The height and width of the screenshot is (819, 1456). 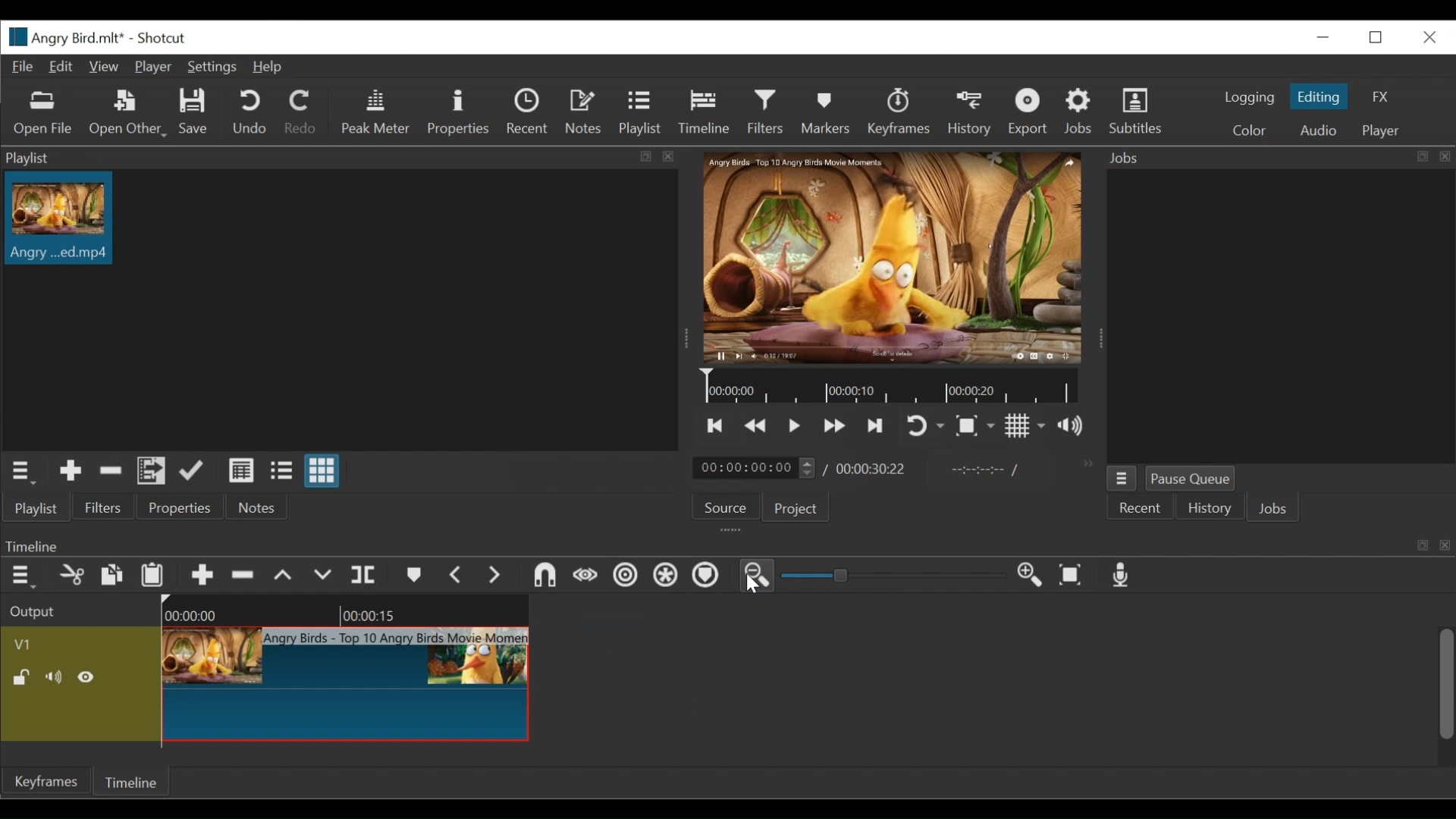 I want to click on Export, so click(x=1029, y=113).